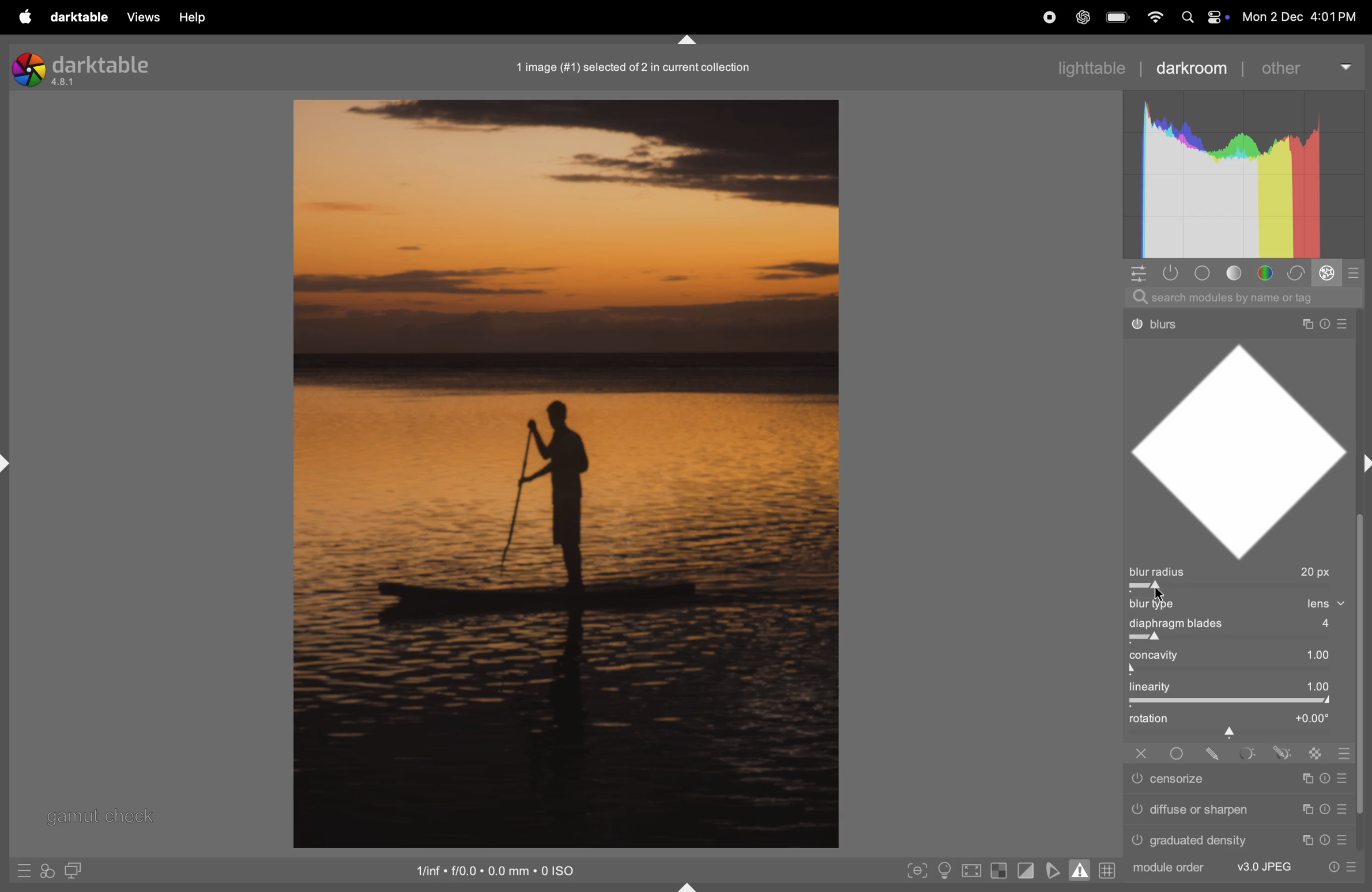 The image size is (1372, 892). I want to click on con cativity, so click(1243, 655).